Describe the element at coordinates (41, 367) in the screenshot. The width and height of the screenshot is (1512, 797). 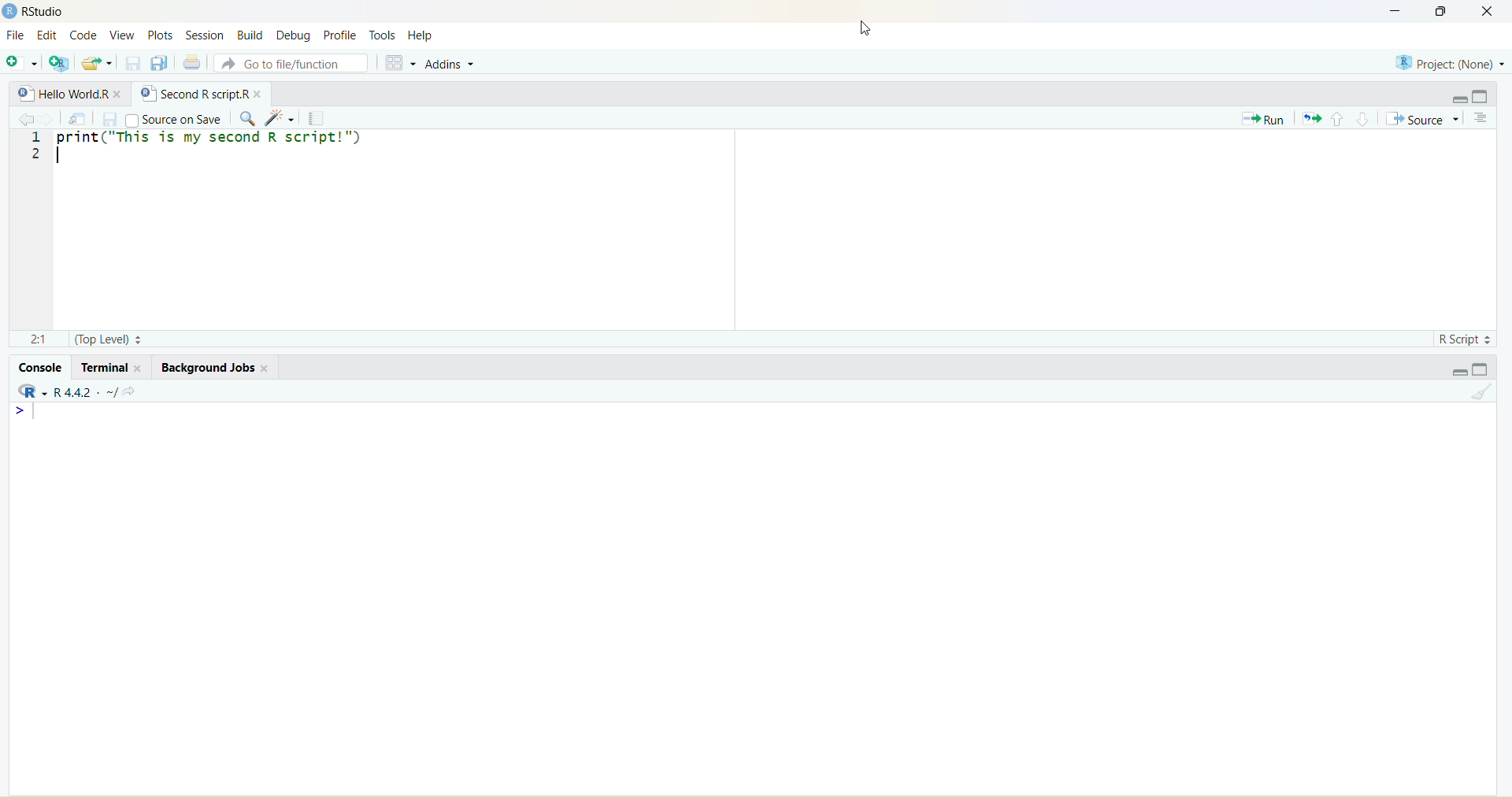
I see `Console` at that location.